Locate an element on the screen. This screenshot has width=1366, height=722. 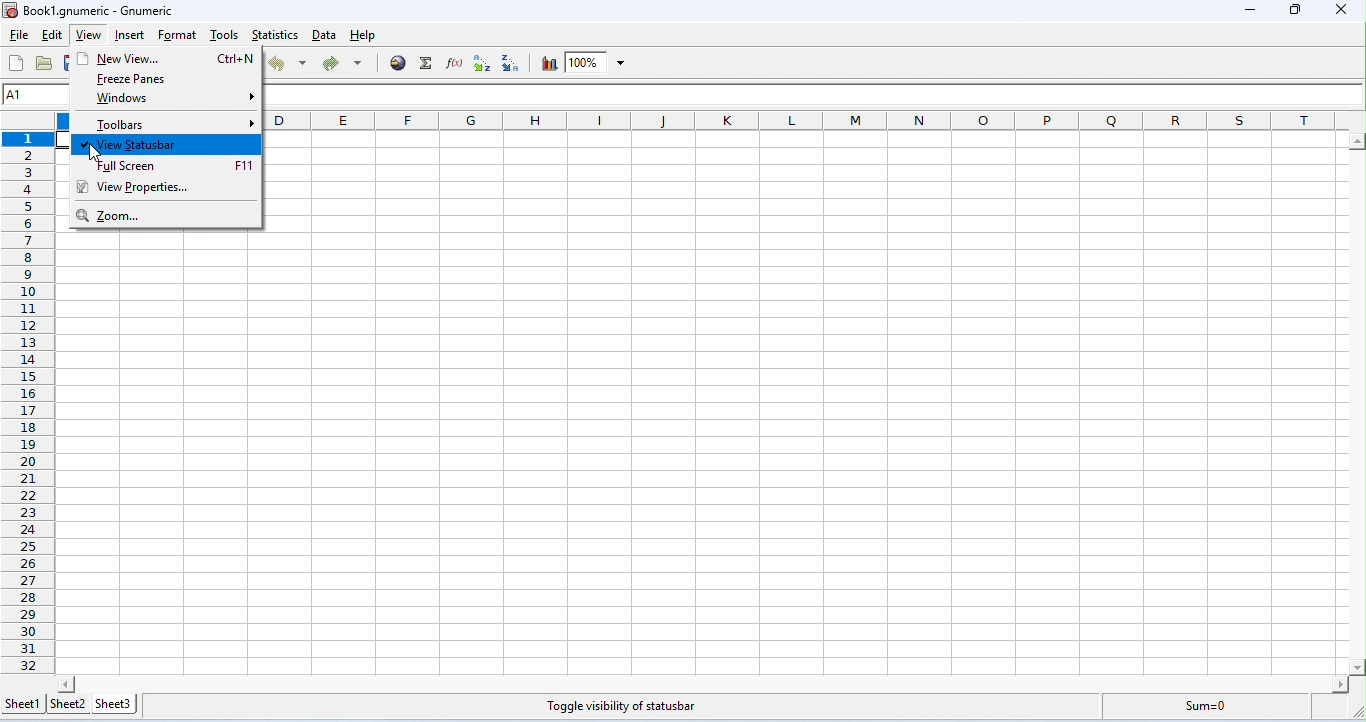
full screen is located at coordinates (175, 166).